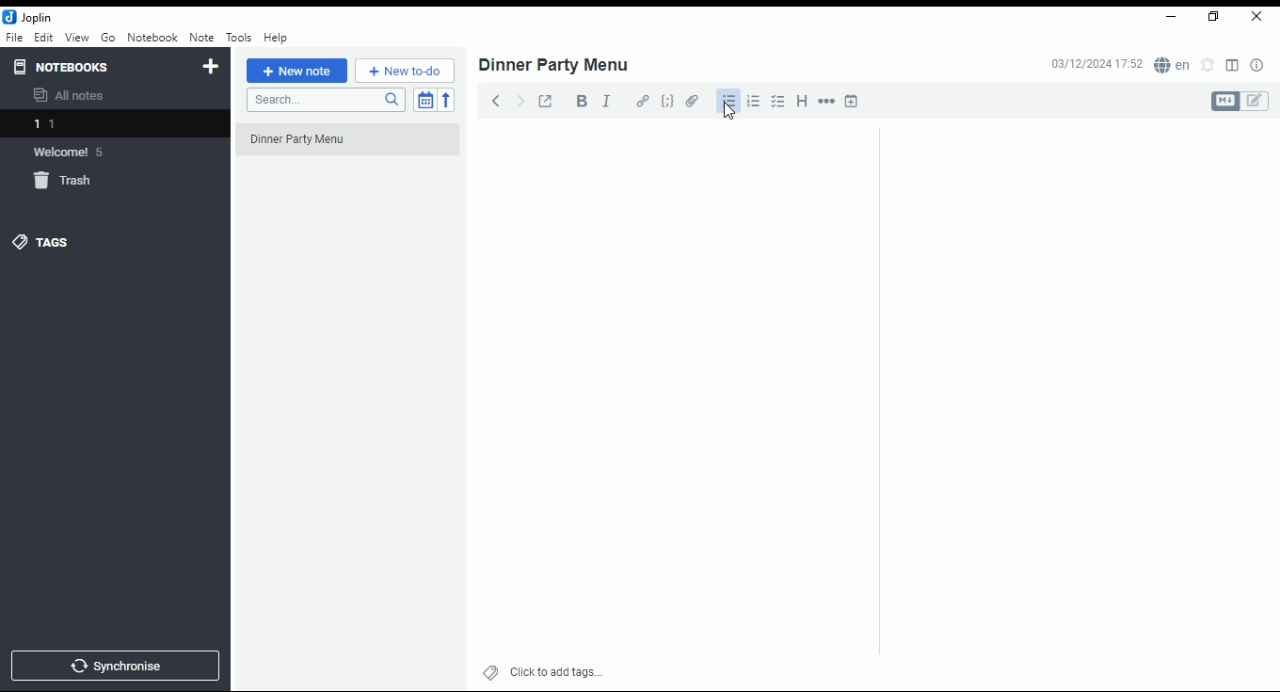 The width and height of the screenshot is (1280, 692). I want to click on minimize, so click(1172, 17).